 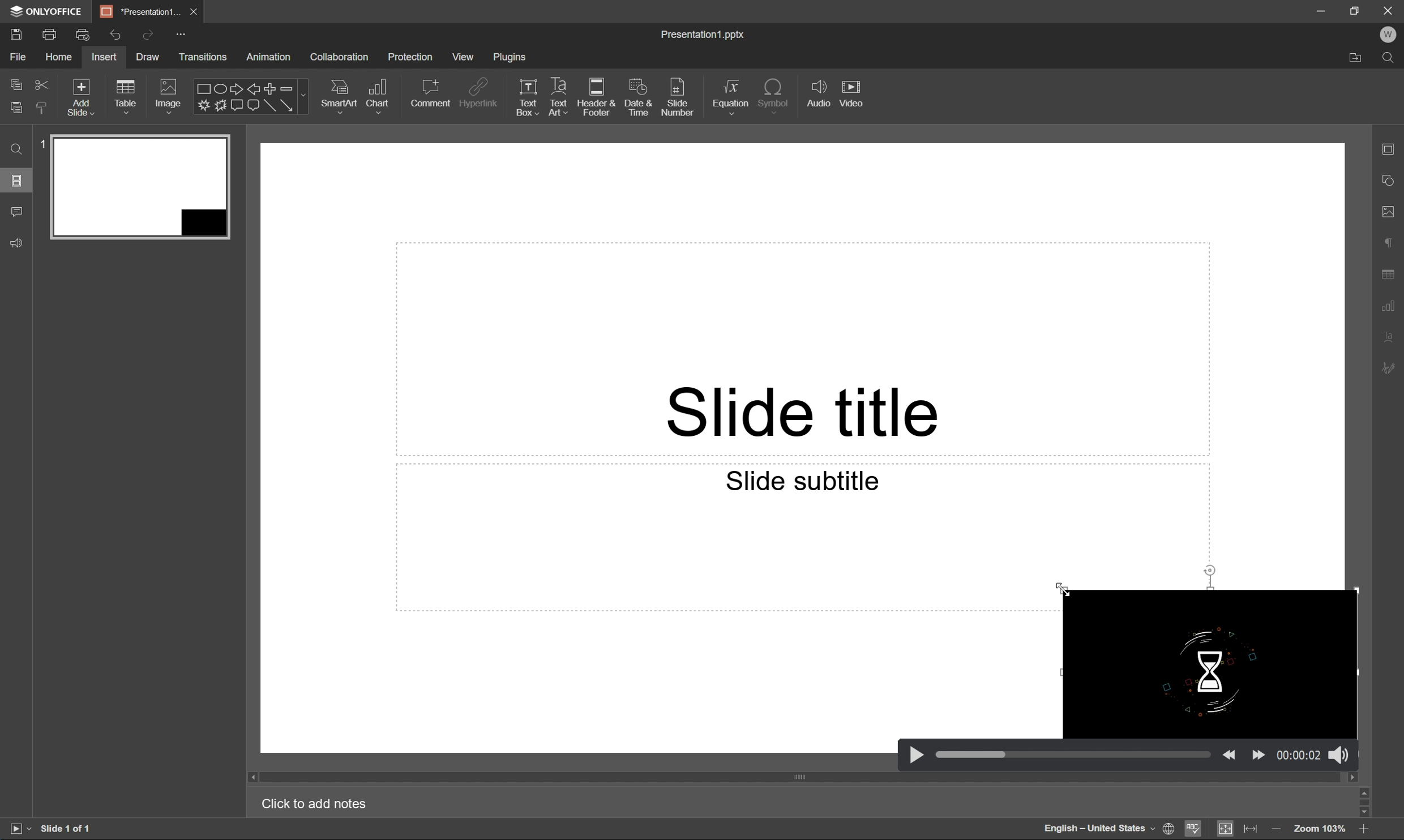 I want to click on text art, so click(x=560, y=95).